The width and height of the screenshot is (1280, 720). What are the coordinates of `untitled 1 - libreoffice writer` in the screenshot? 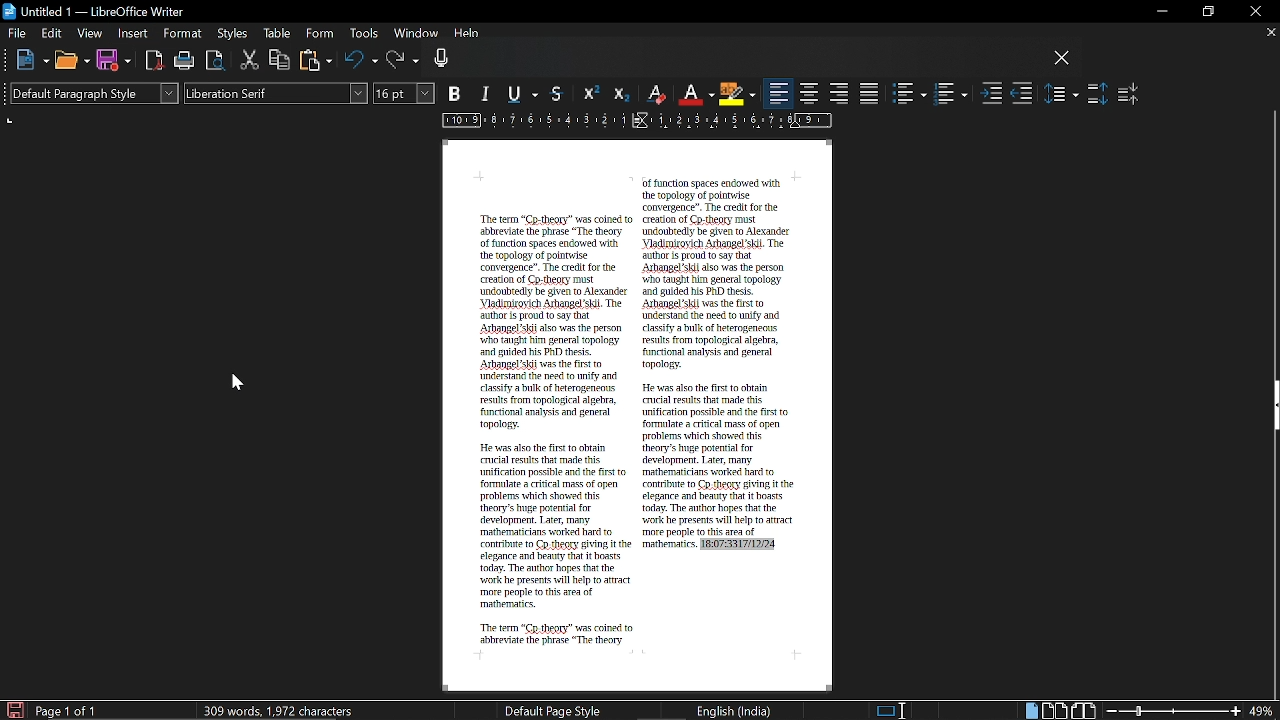 It's located at (97, 9).